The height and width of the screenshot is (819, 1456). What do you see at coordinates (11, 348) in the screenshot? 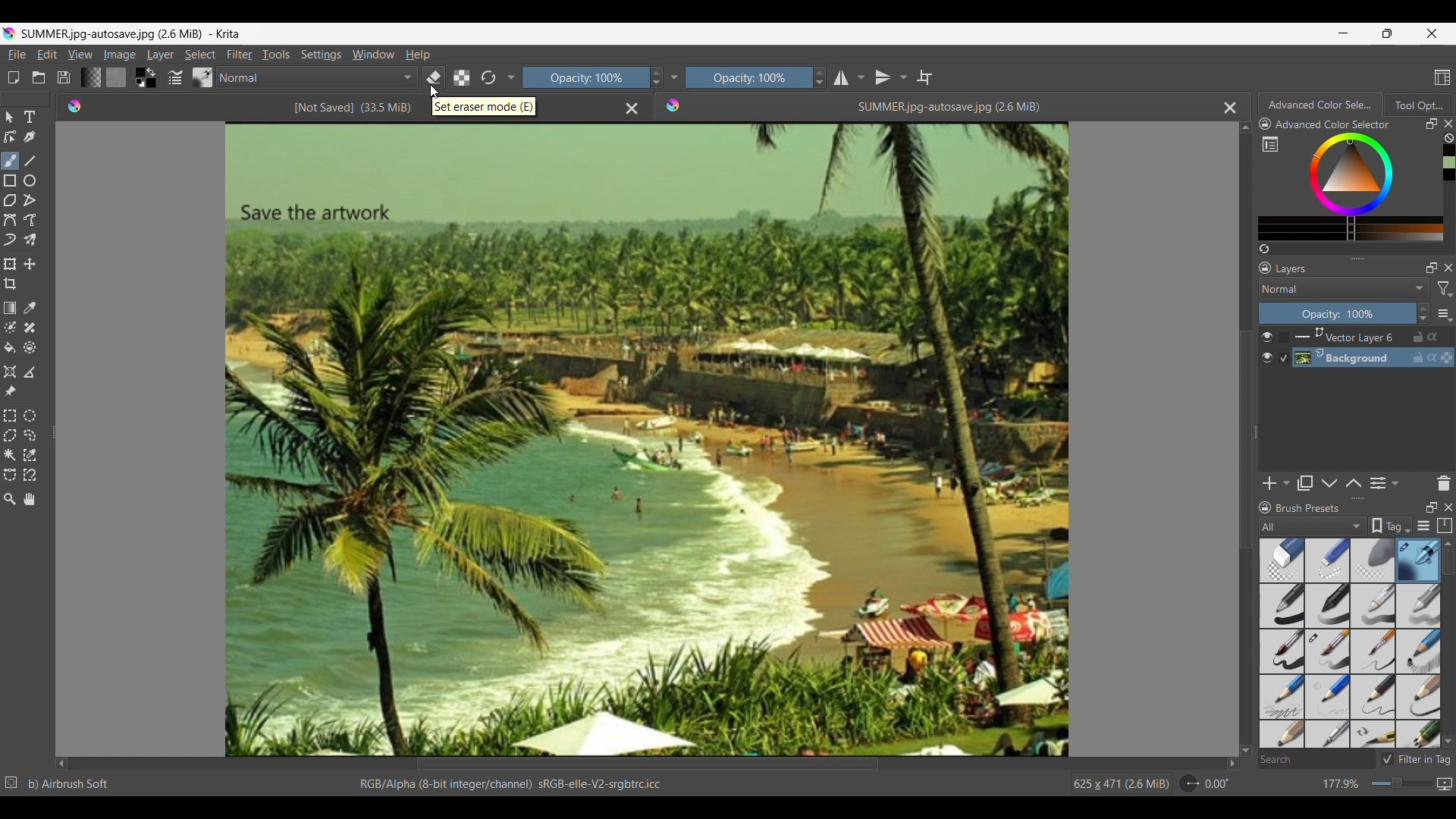
I see `Fill tool` at bounding box center [11, 348].